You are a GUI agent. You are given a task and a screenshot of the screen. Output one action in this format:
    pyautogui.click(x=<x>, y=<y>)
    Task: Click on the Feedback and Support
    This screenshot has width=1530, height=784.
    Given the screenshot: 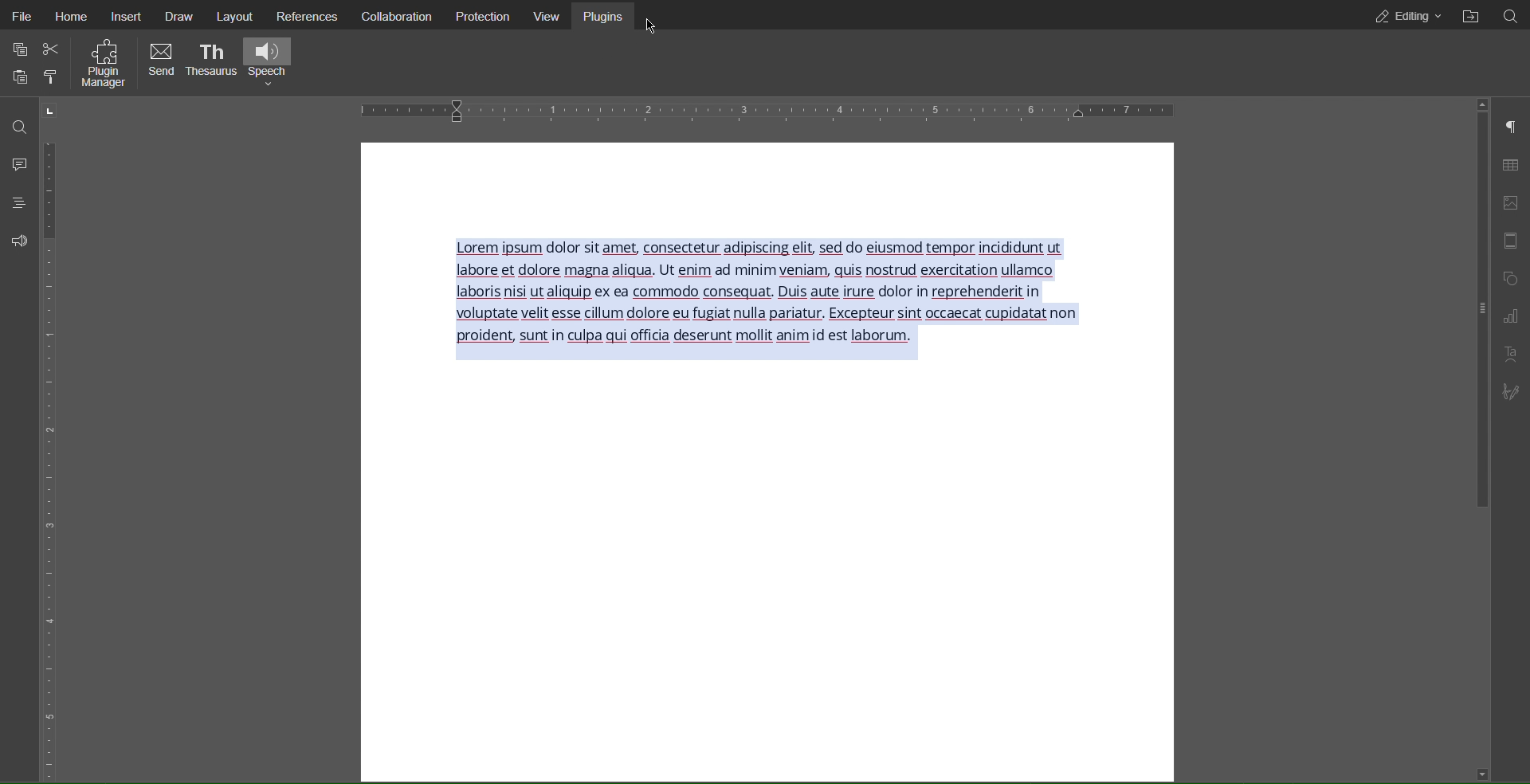 What is the action you would take?
    pyautogui.click(x=14, y=241)
    